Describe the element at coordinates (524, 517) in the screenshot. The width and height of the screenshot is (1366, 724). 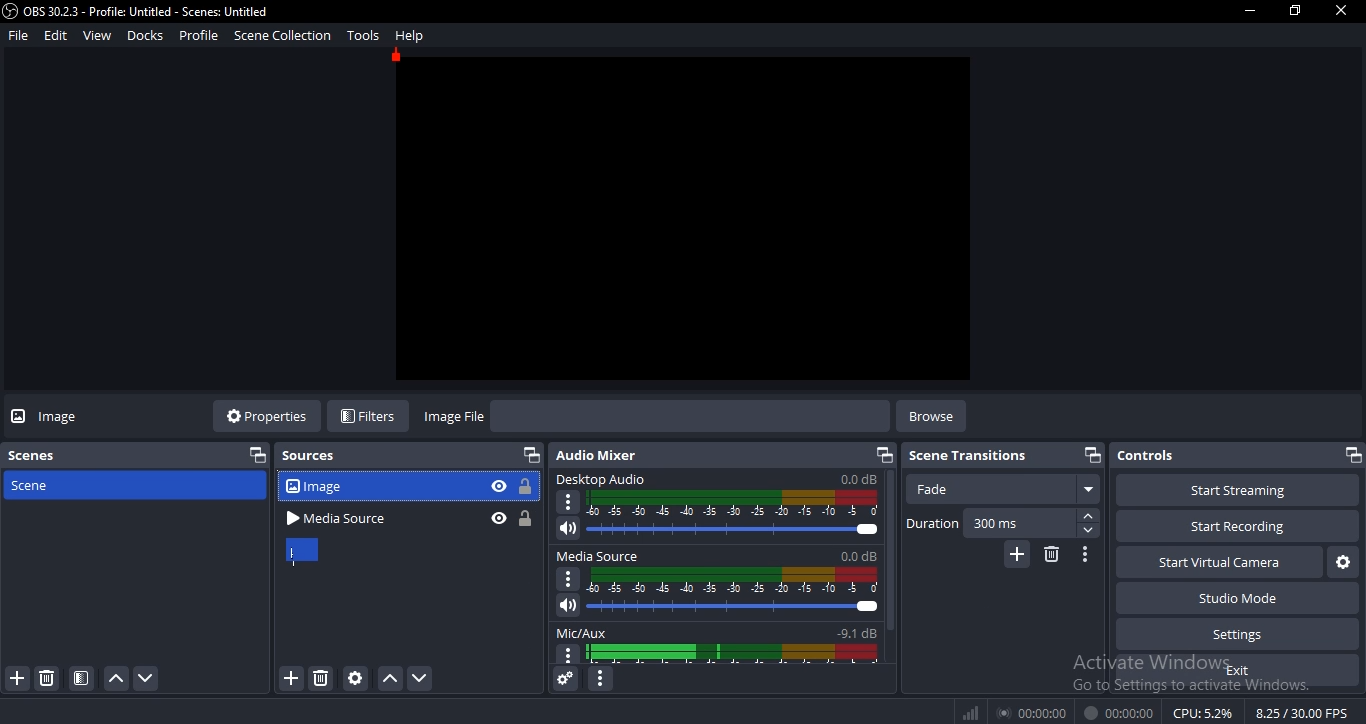
I see `lock` at that location.